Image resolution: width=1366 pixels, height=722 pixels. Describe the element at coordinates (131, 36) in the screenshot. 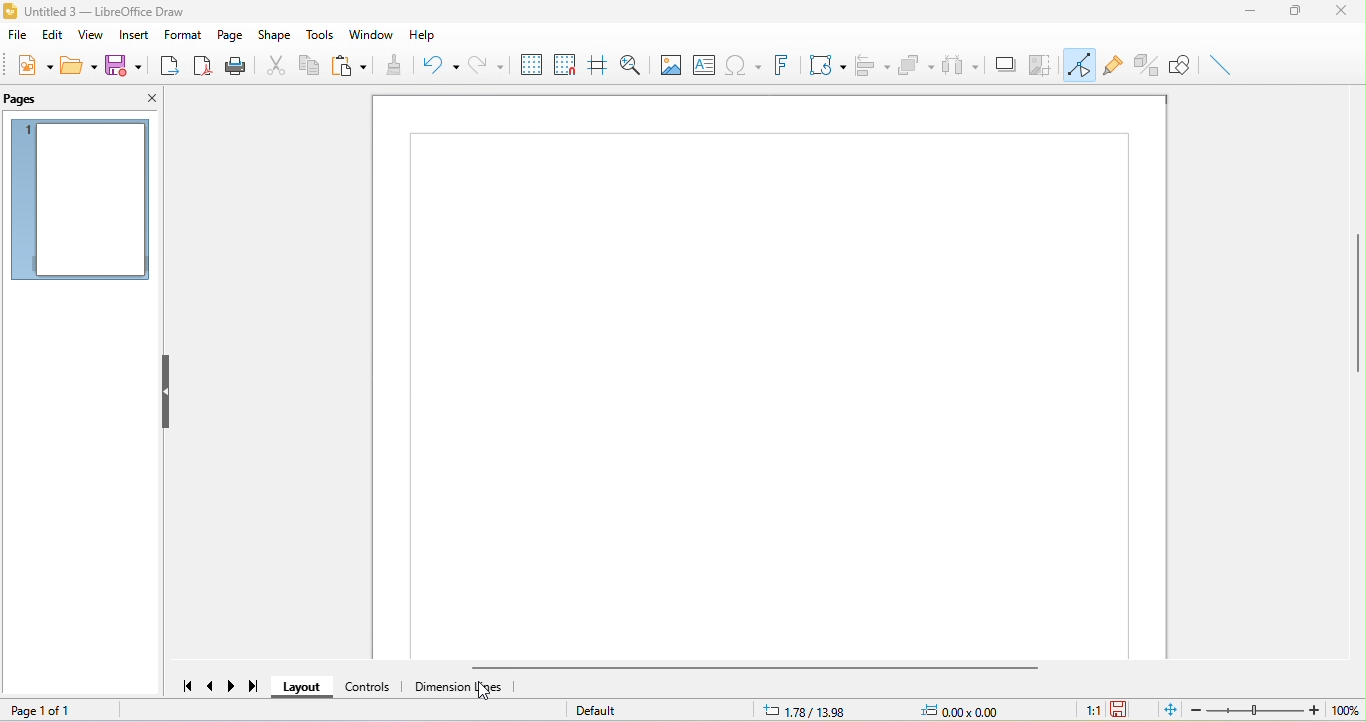

I see `insert` at that location.